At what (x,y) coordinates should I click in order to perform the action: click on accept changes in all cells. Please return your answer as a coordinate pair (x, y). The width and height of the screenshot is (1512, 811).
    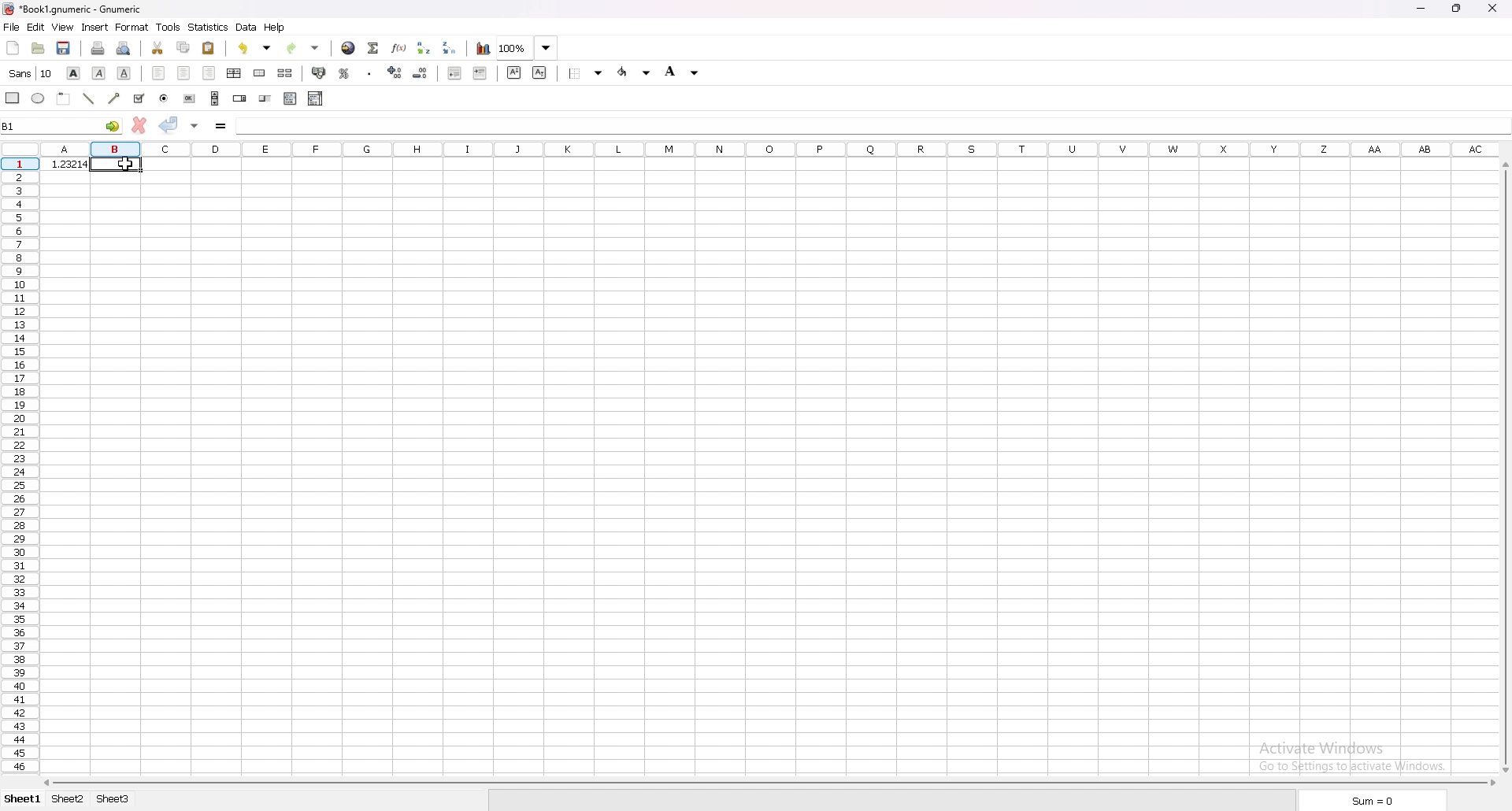
    Looking at the image, I should click on (195, 125).